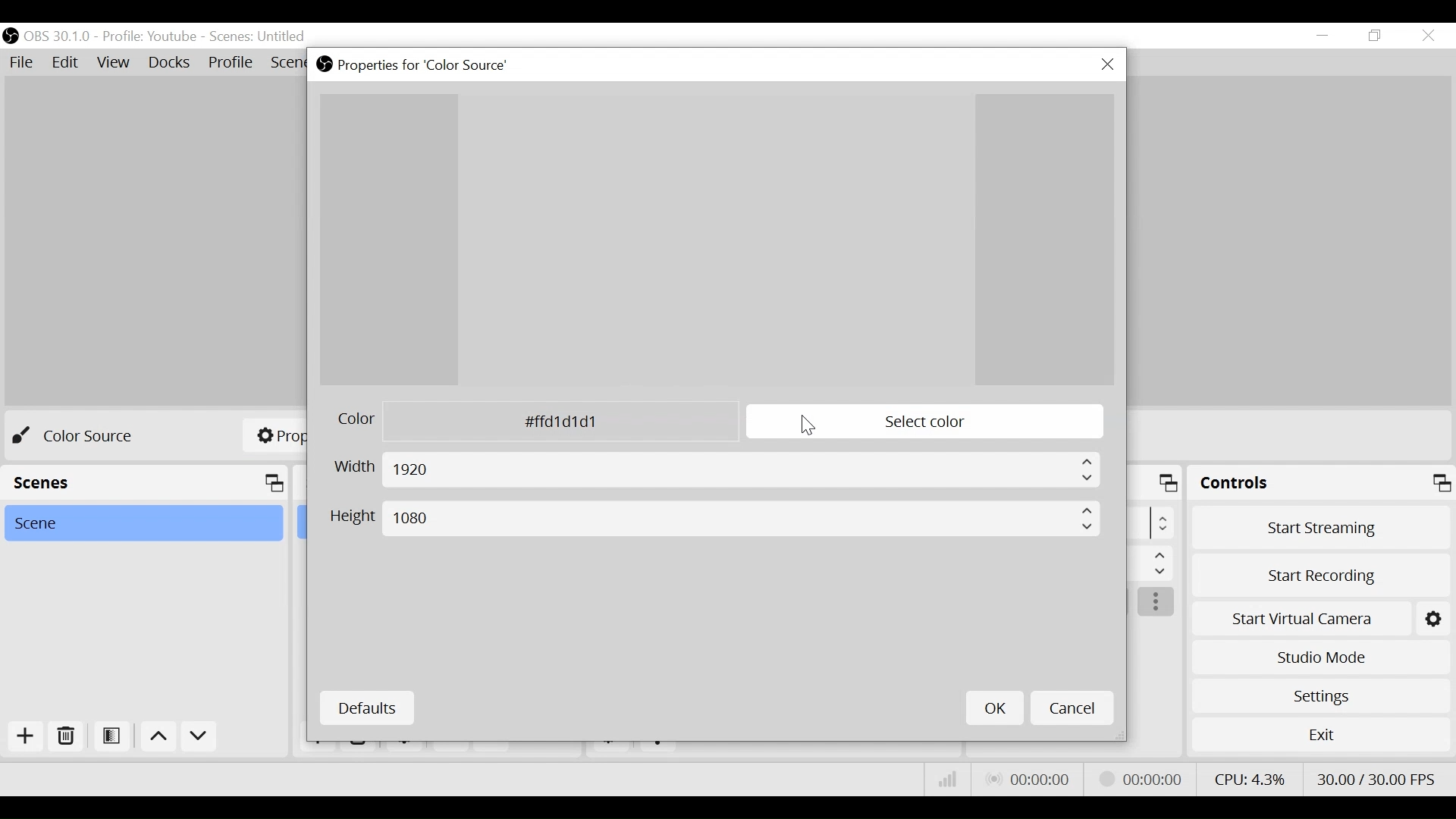 The width and height of the screenshot is (1456, 819). I want to click on HTML, so click(526, 421).